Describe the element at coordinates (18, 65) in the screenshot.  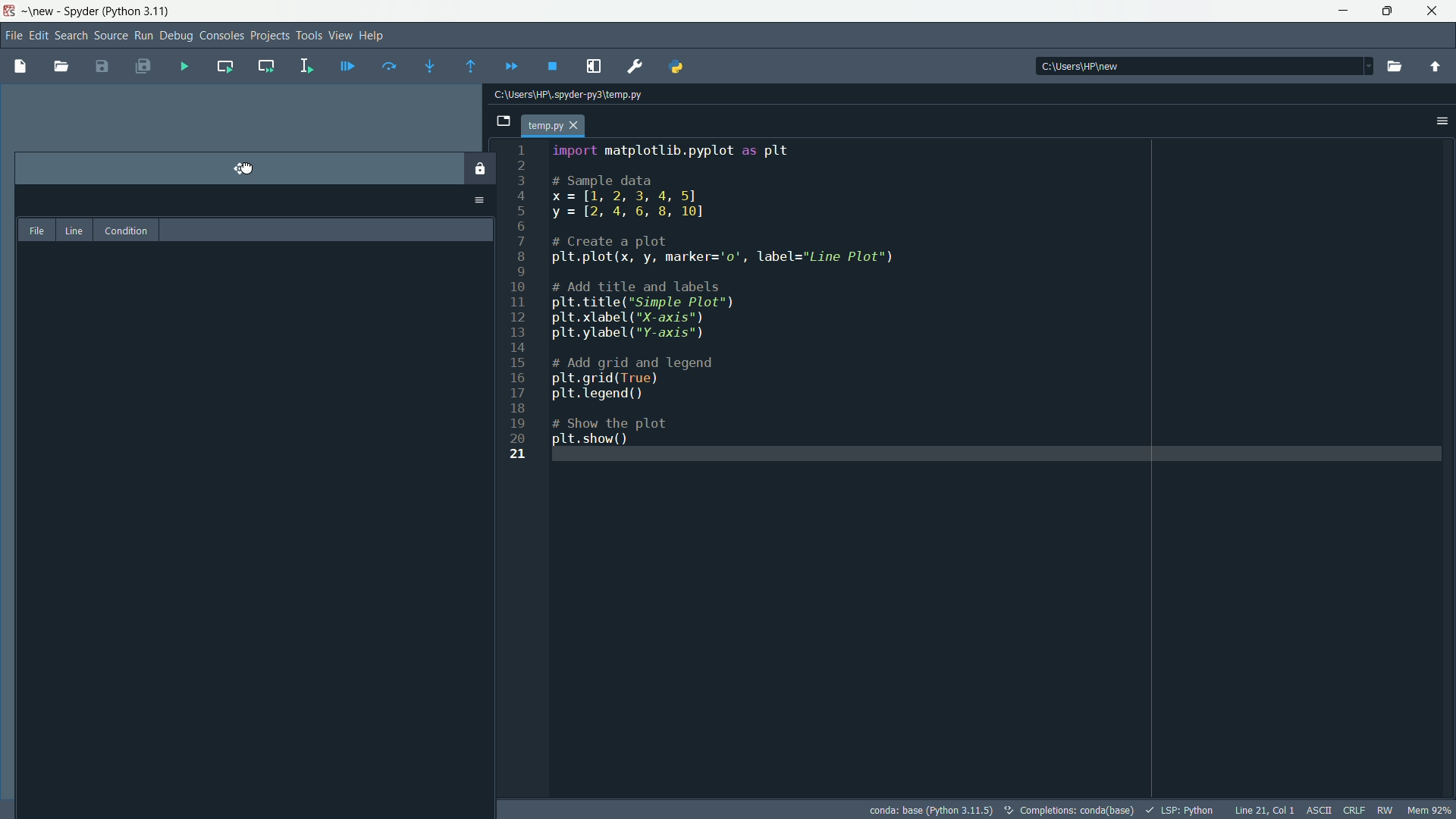
I see `new file` at that location.